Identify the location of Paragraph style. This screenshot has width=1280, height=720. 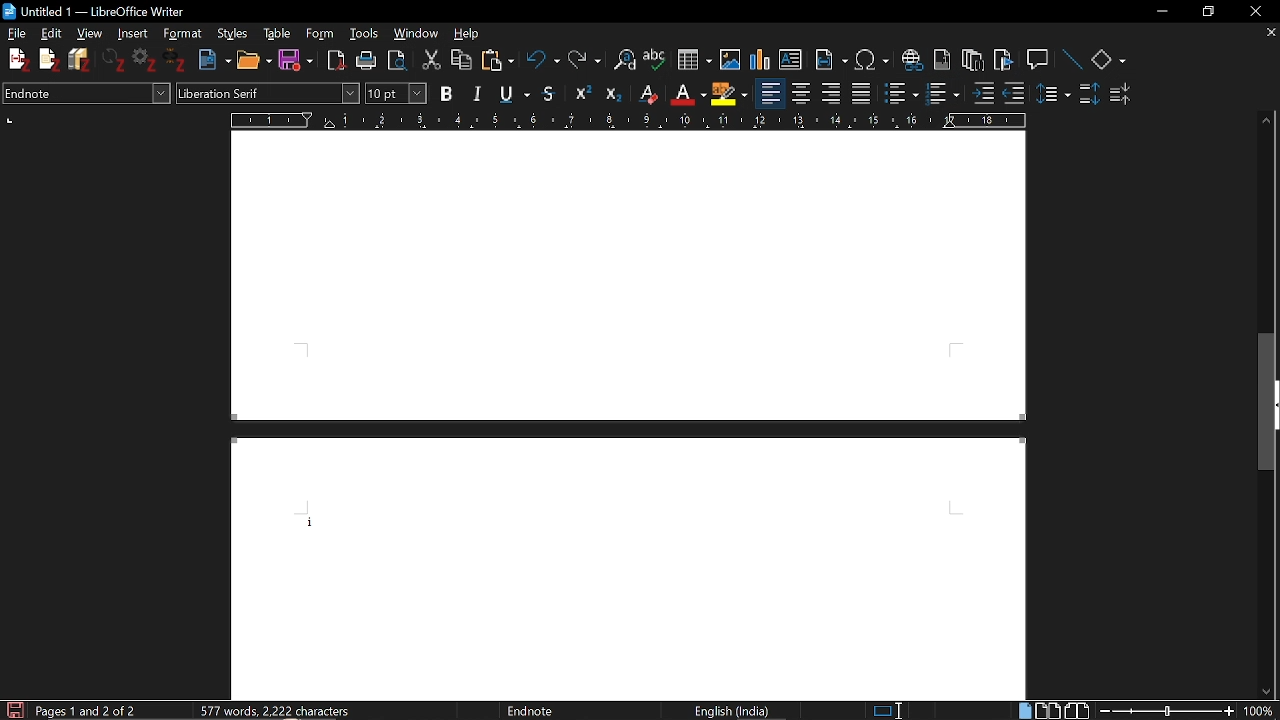
(86, 94).